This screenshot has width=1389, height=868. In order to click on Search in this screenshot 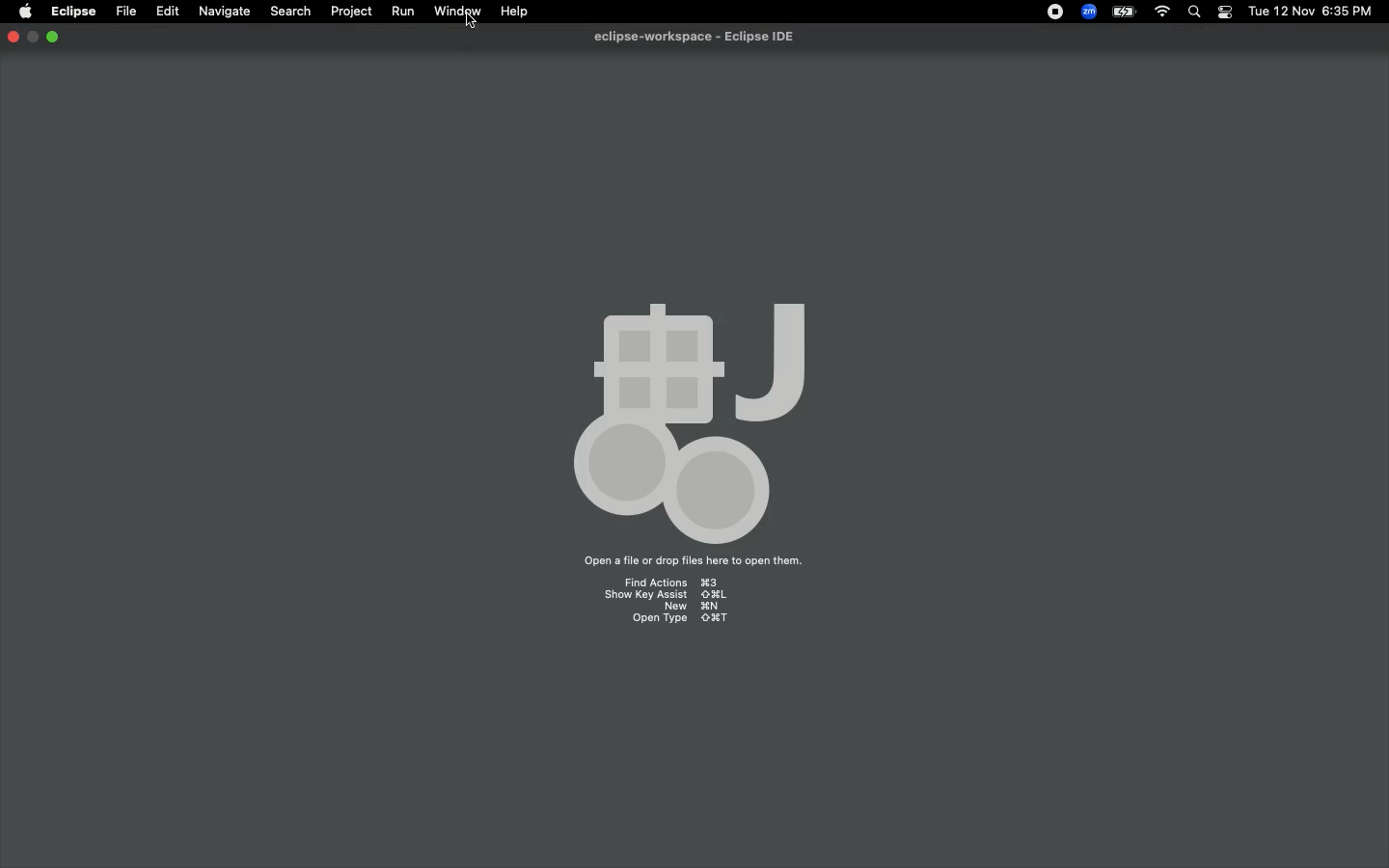, I will do `click(288, 11)`.